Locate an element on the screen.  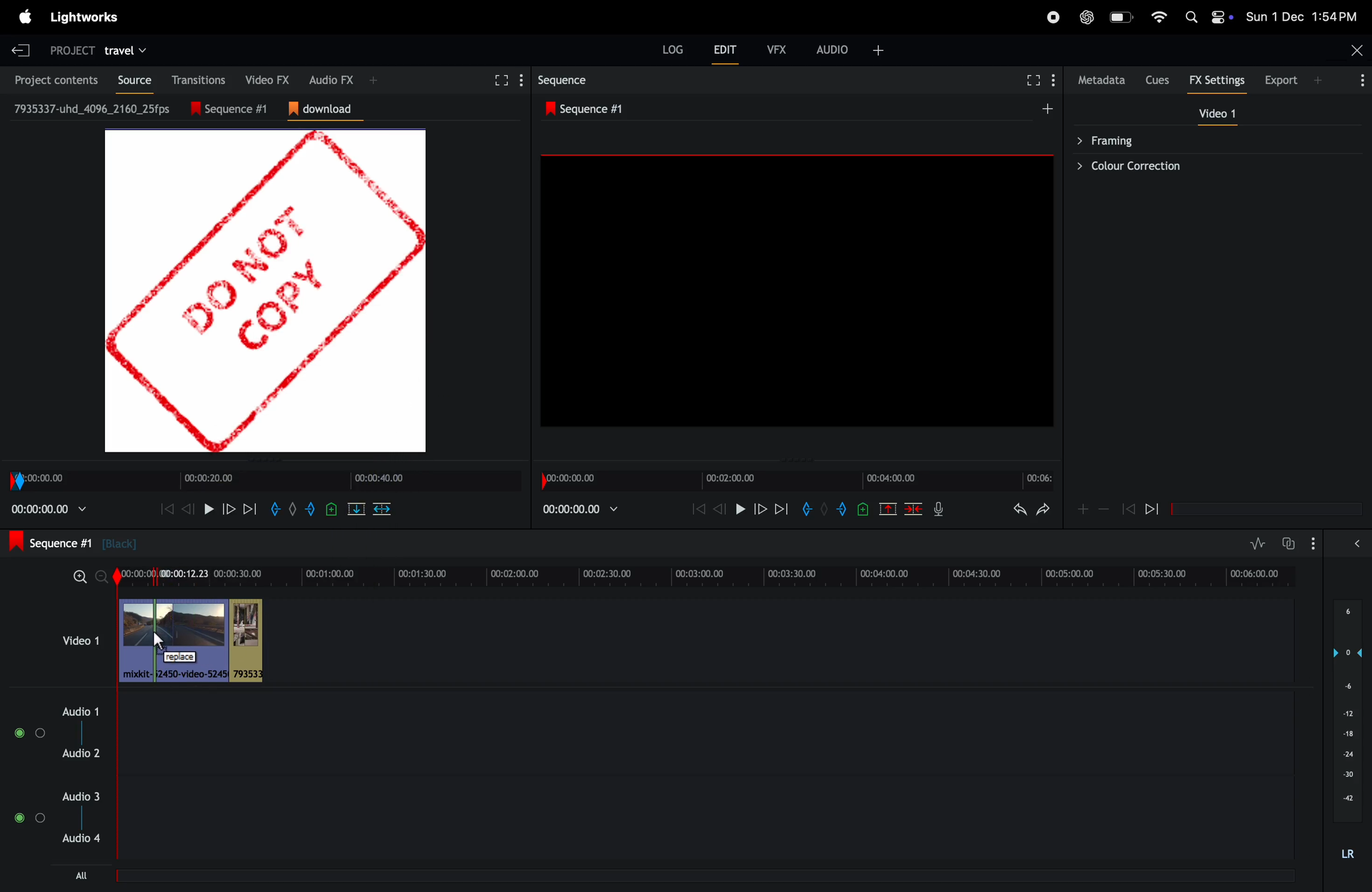
meta data is located at coordinates (1102, 80).